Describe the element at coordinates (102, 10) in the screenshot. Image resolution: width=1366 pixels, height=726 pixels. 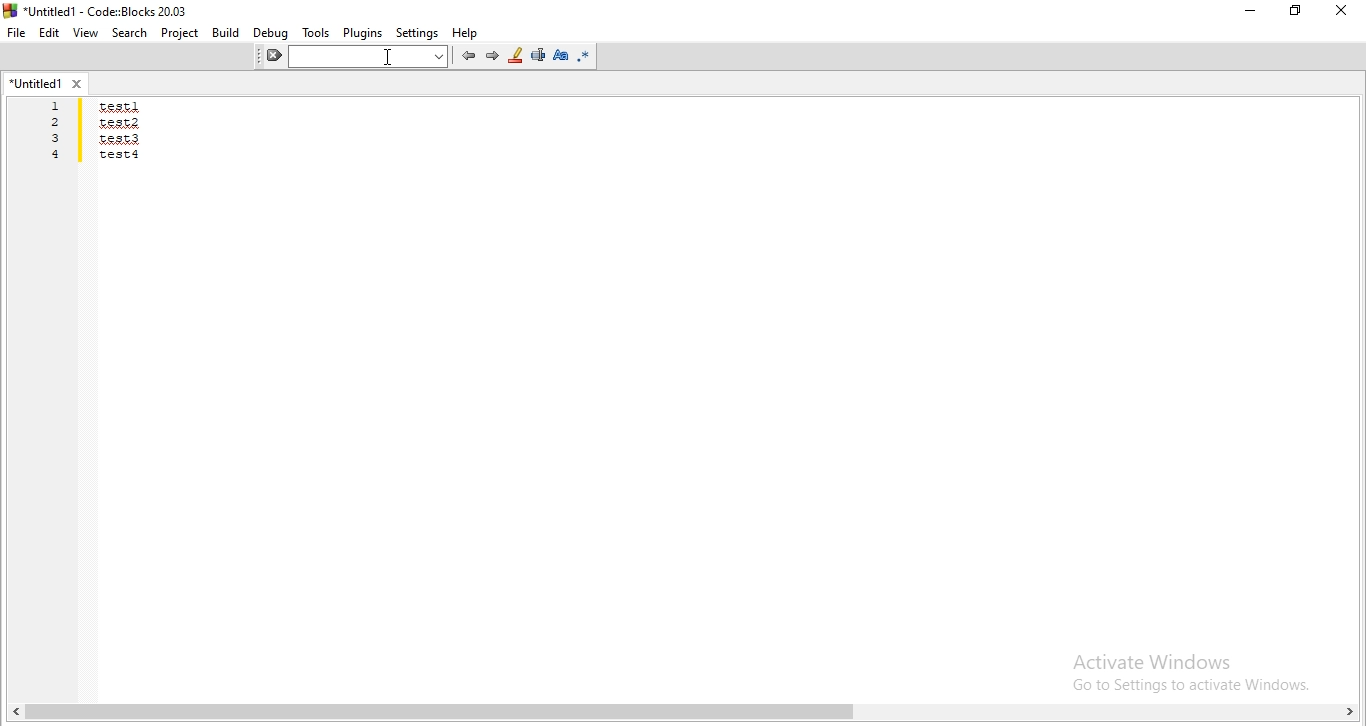
I see `logo` at that location.